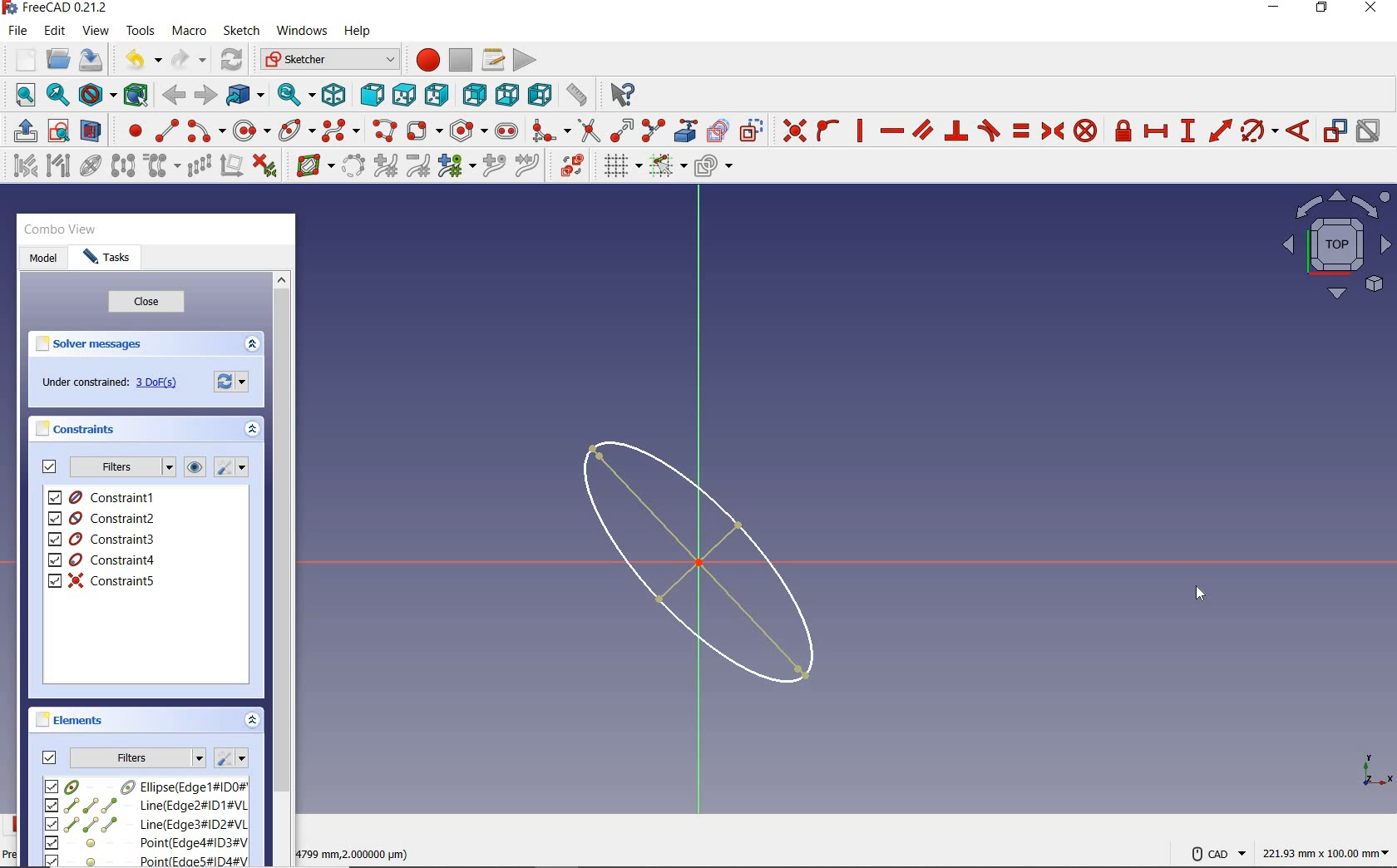  What do you see at coordinates (712, 167) in the screenshot?
I see `configure rendering order` at bounding box center [712, 167].